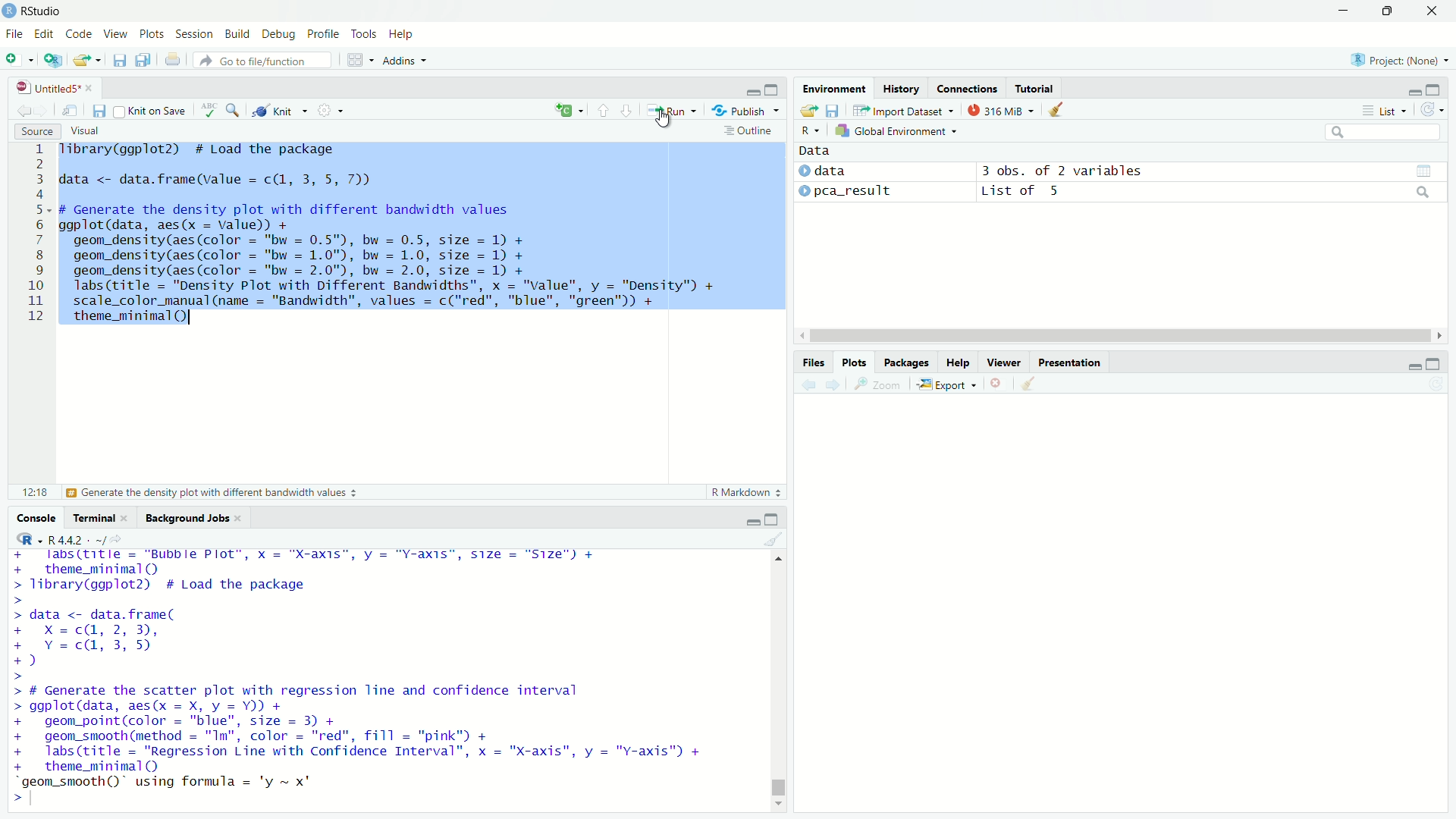  Describe the element at coordinates (1431, 109) in the screenshot. I see `Refresh the list of objects in the environment` at that location.